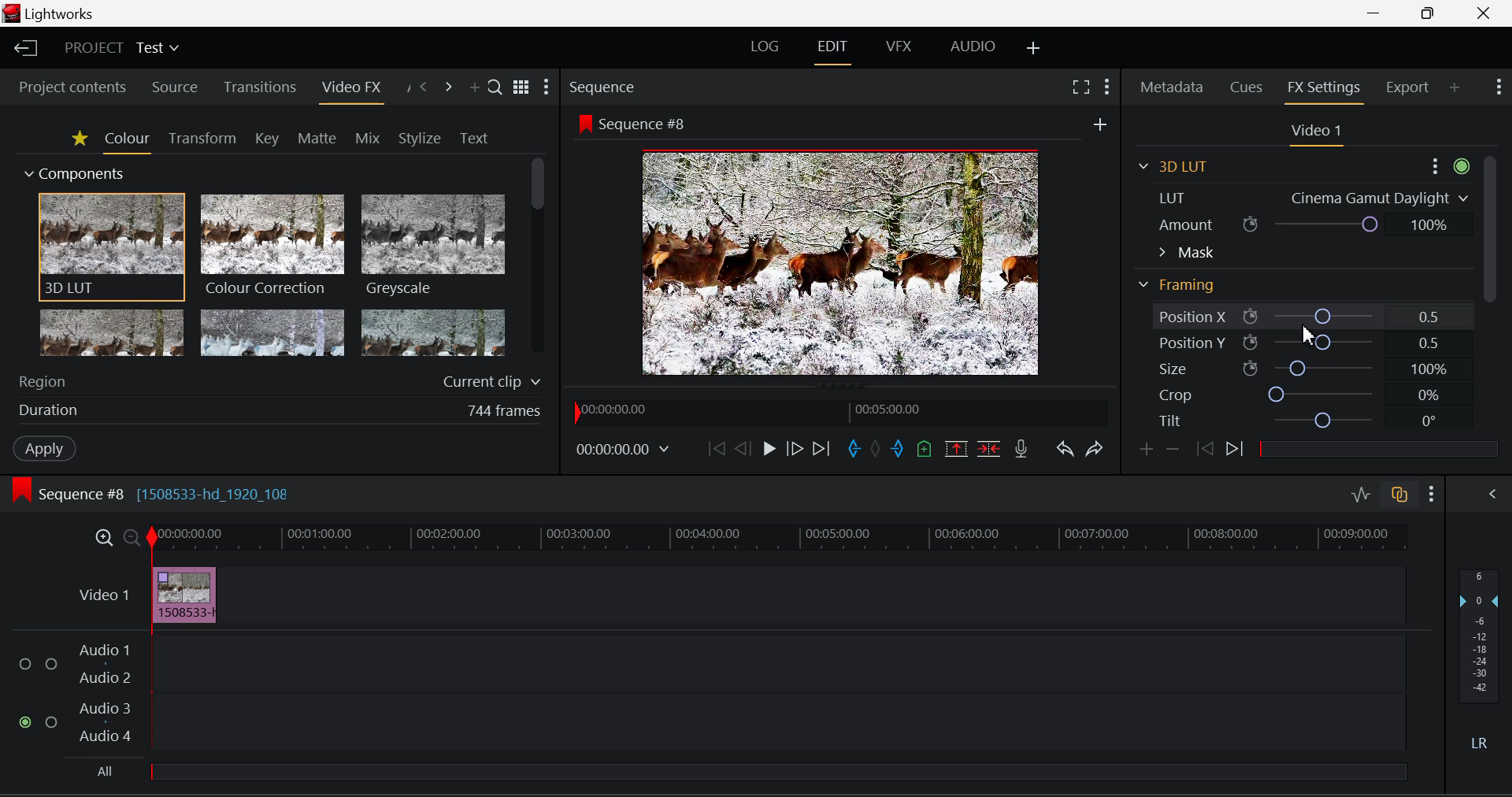 Image resolution: width=1512 pixels, height=797 pixels. I want to click on Cues, so click(1246, 87).